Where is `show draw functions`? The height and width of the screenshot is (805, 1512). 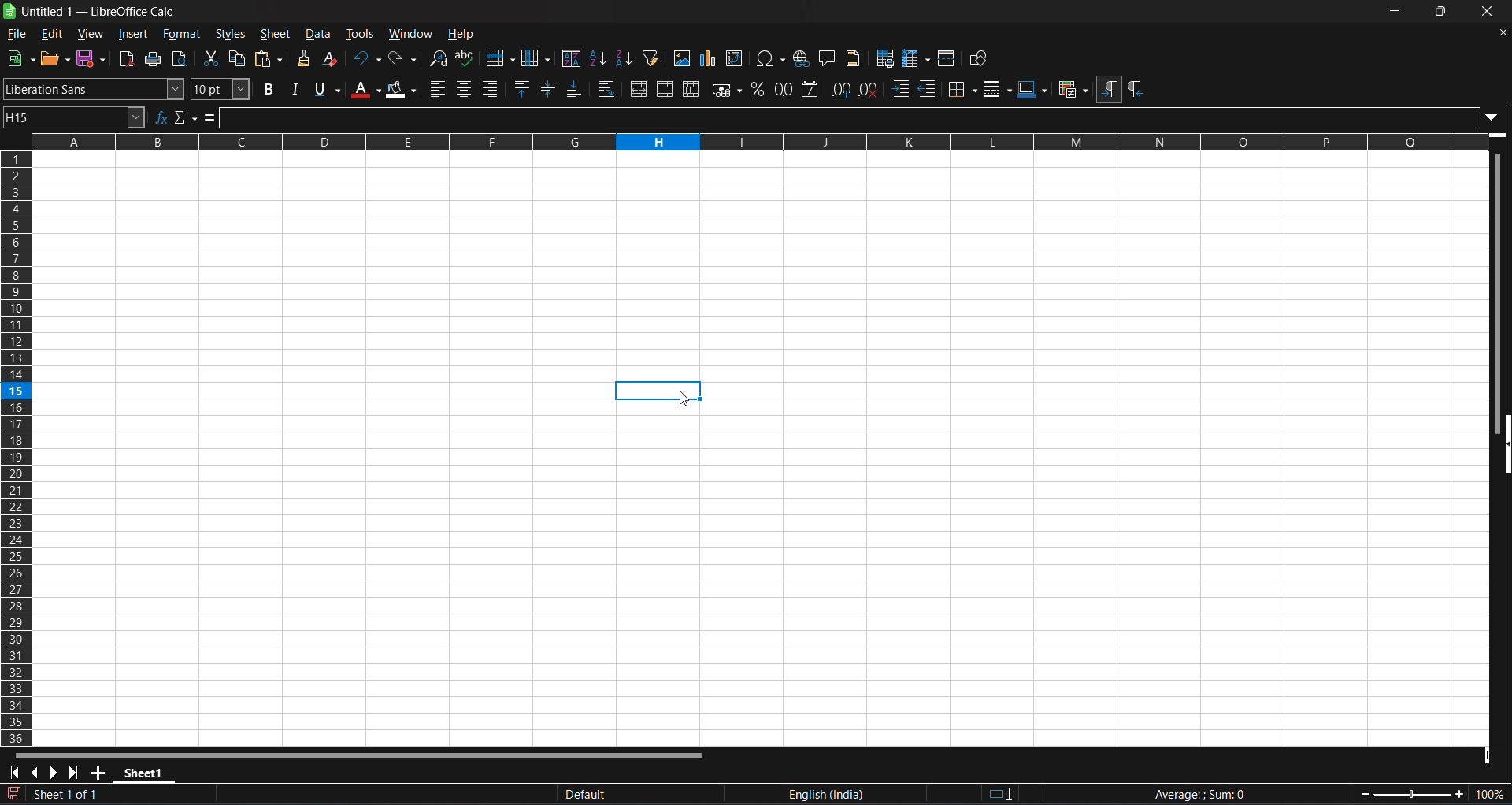
show draw functions is located at coordinates (978, 57).